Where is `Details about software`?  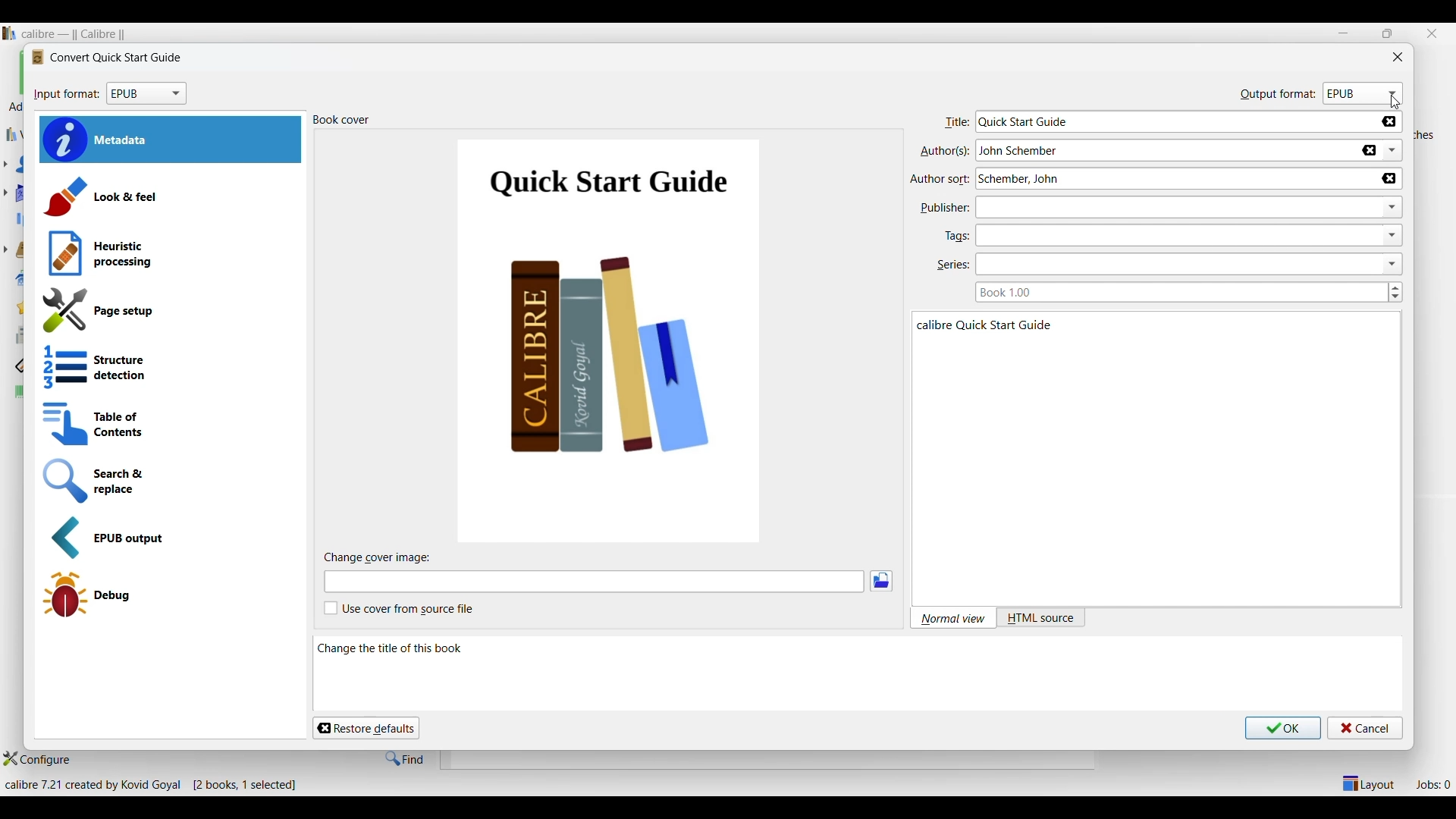
Details about software is located at coordinates (156, 786).